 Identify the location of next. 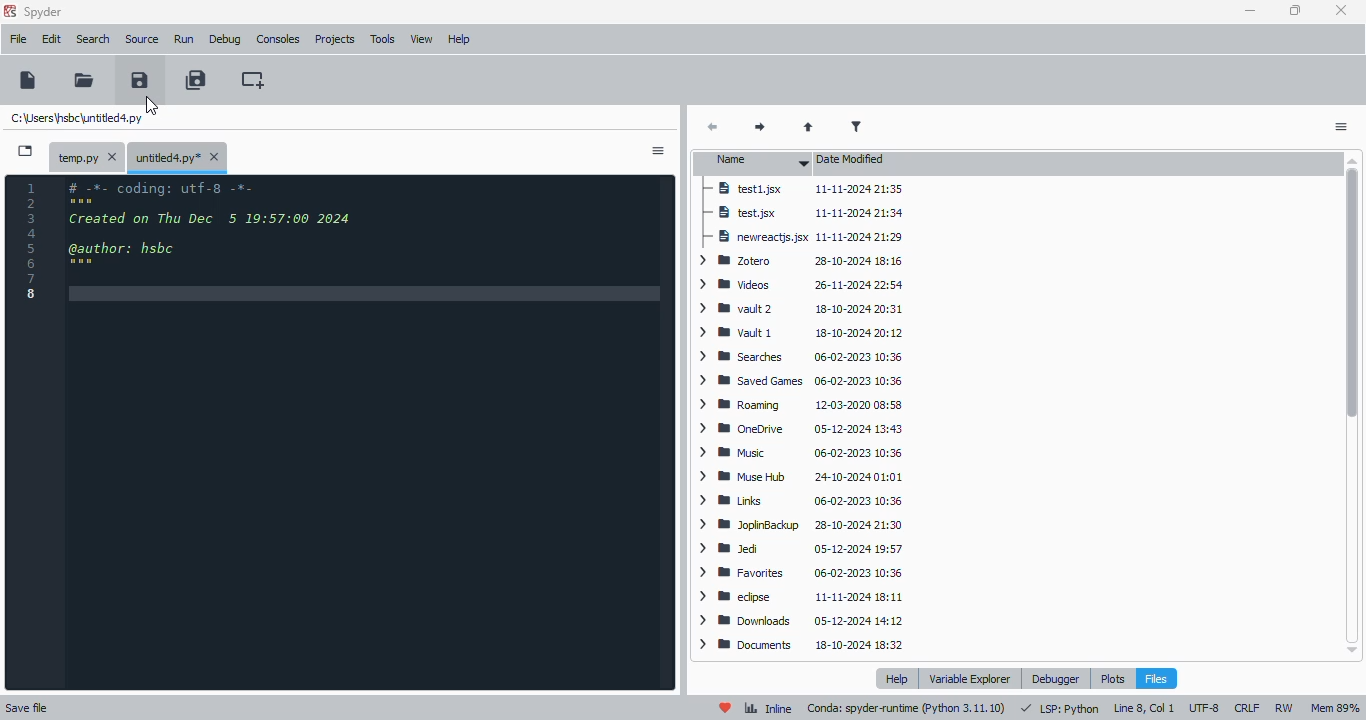
(756, 128).